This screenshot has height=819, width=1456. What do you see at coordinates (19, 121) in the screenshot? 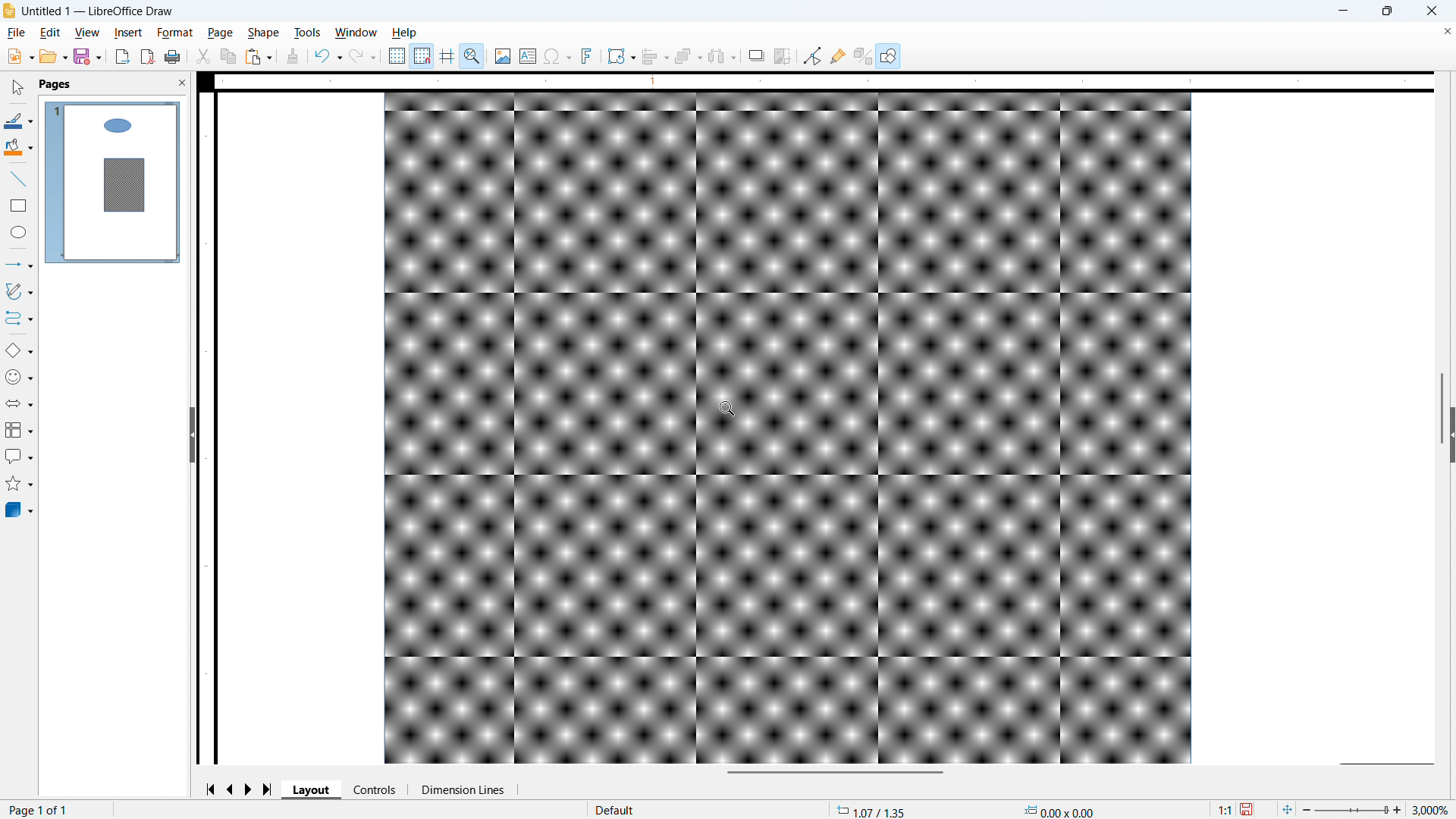
I see `Line colour ` at bounding box center [19, 121].